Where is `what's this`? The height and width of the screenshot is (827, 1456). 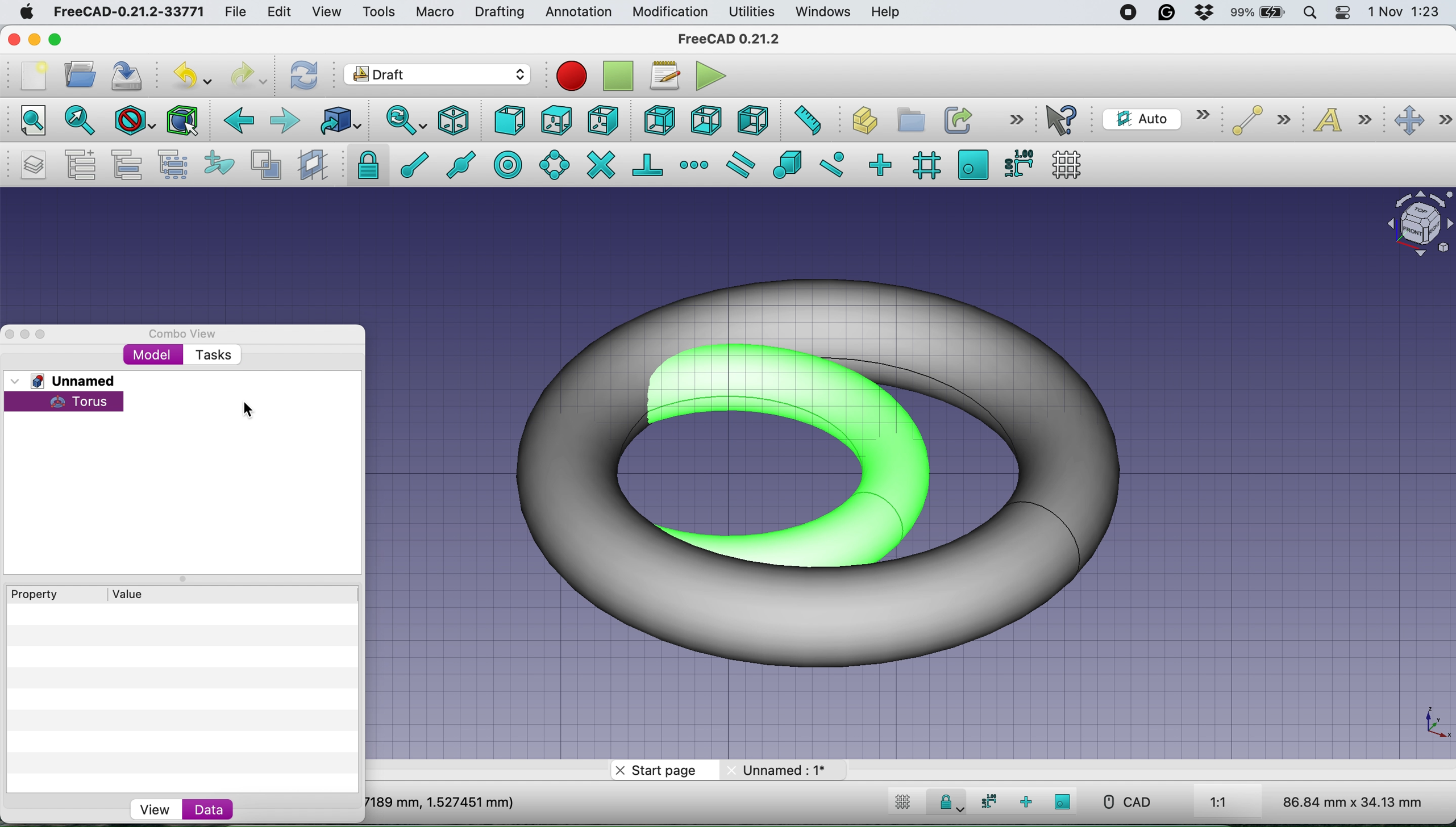
what's this is located at coordinates (1065, 120).